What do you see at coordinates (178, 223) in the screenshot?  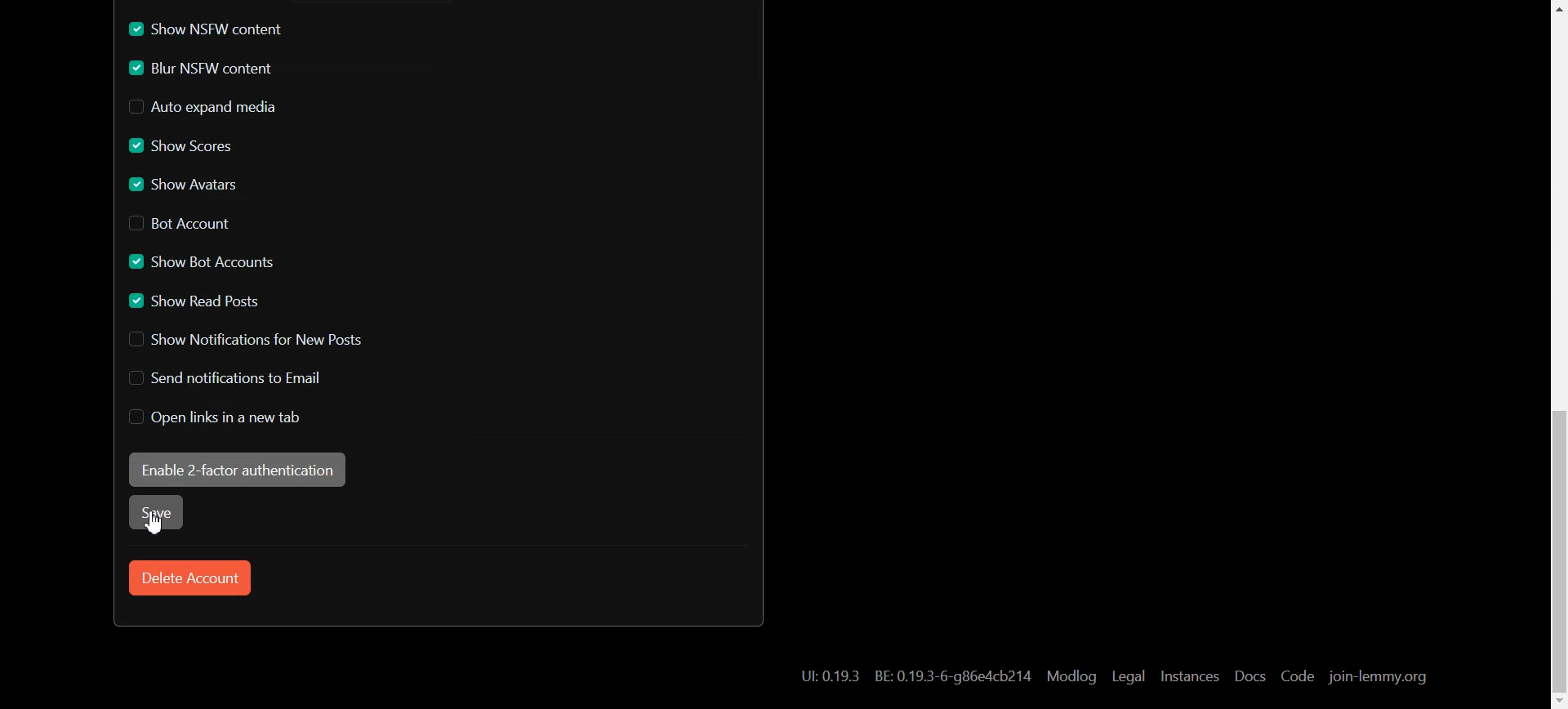 I see `Disable Bot Account` at bounding box center [178, 223].